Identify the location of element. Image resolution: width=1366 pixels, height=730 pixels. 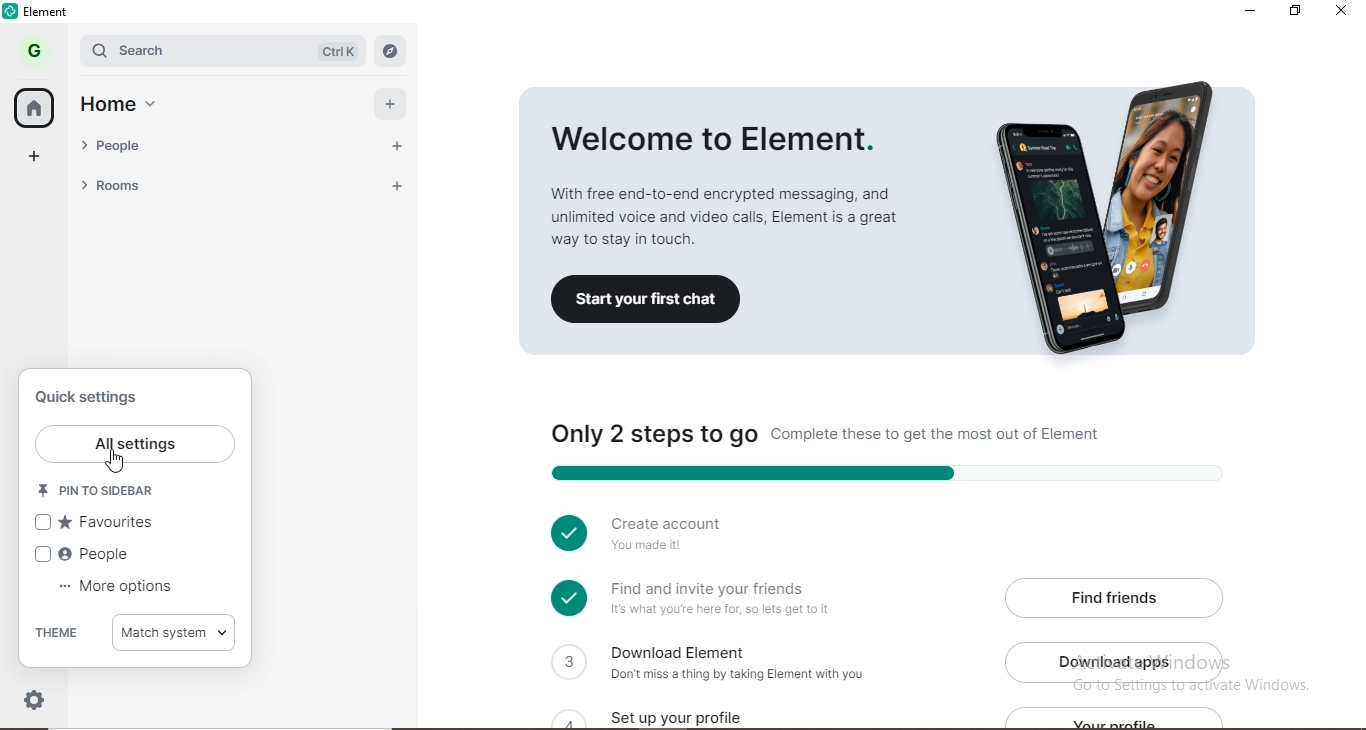
(51, 12).